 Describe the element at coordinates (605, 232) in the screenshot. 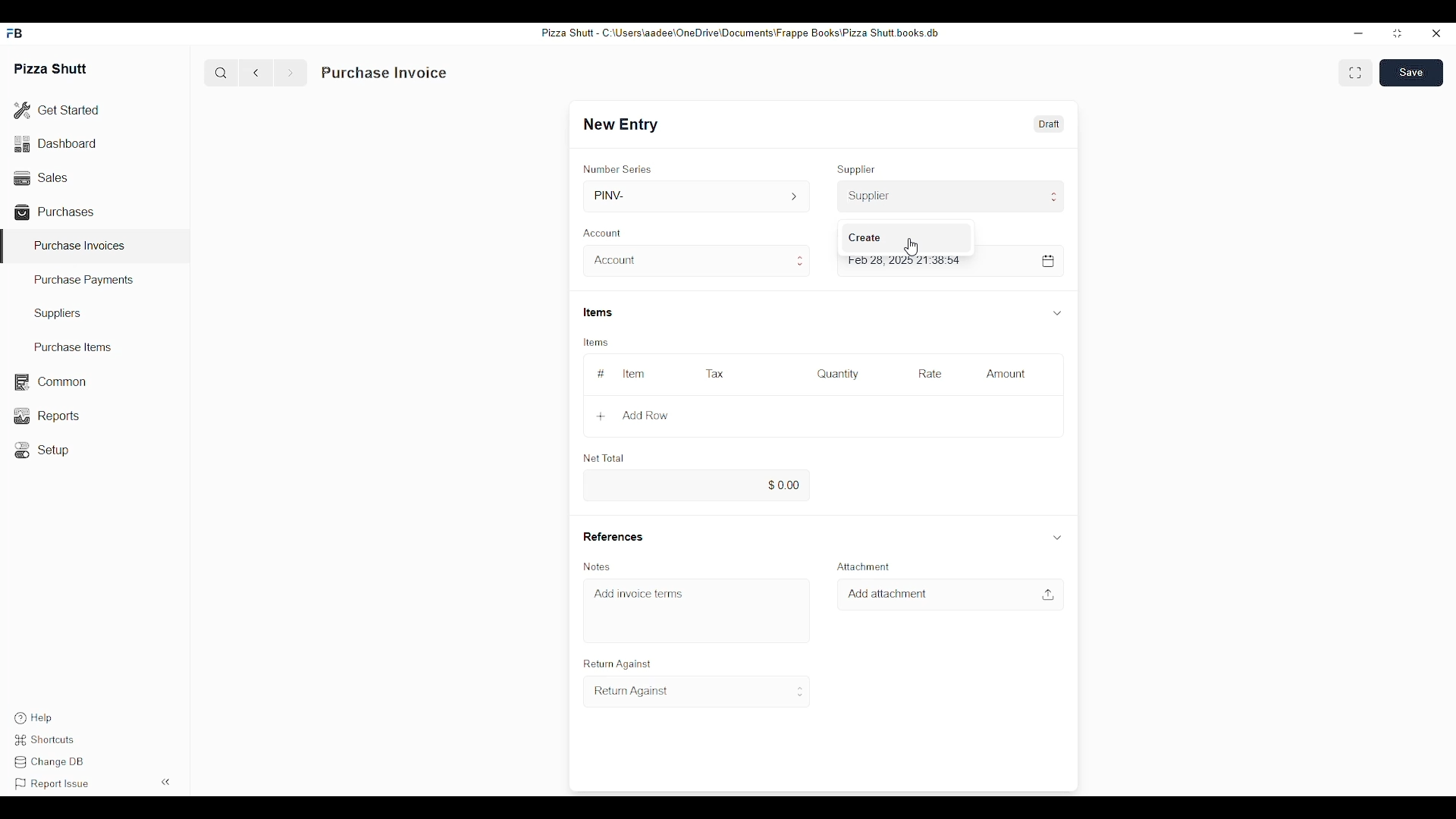

I see `Account` at that location.